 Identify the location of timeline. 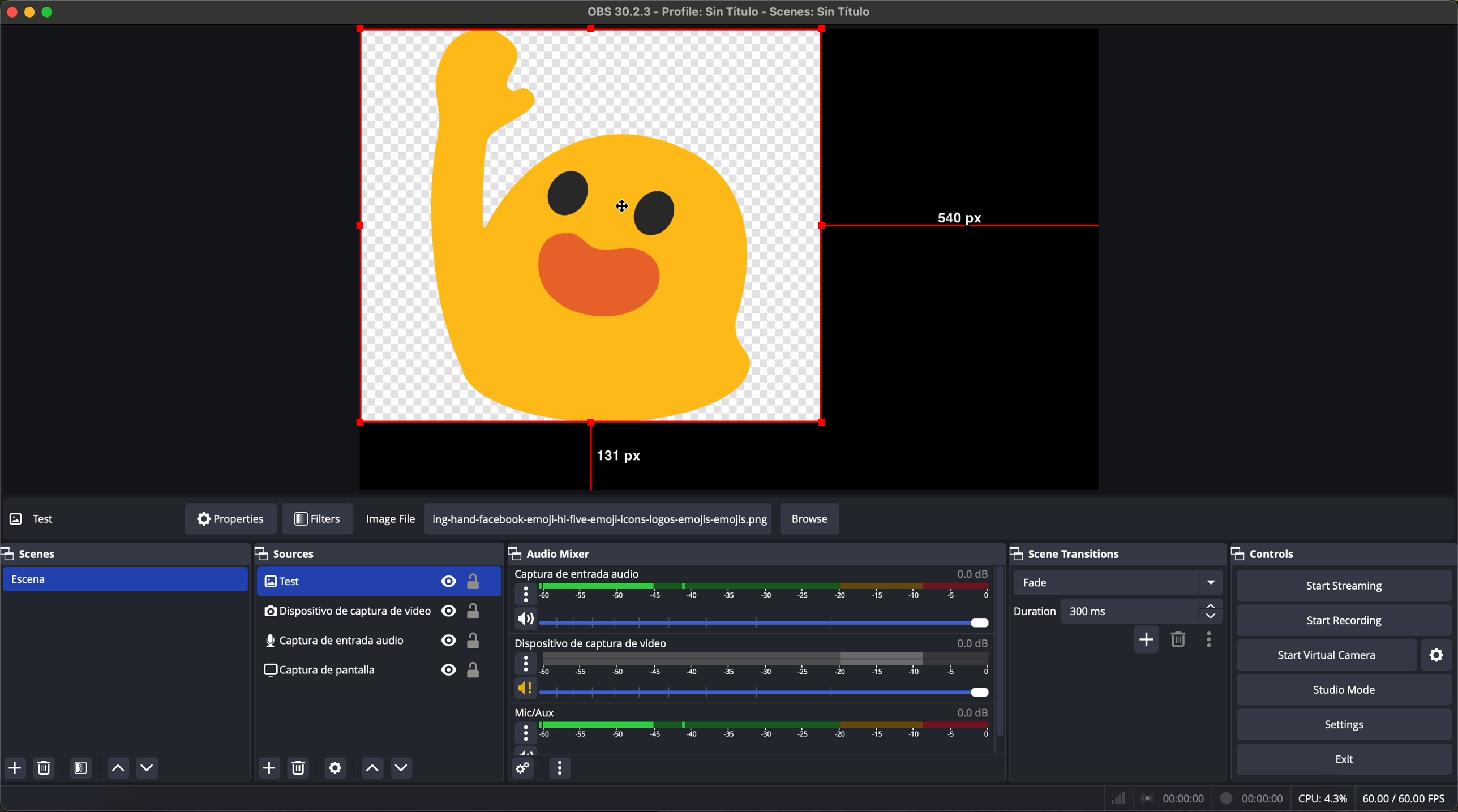
(766, 593).